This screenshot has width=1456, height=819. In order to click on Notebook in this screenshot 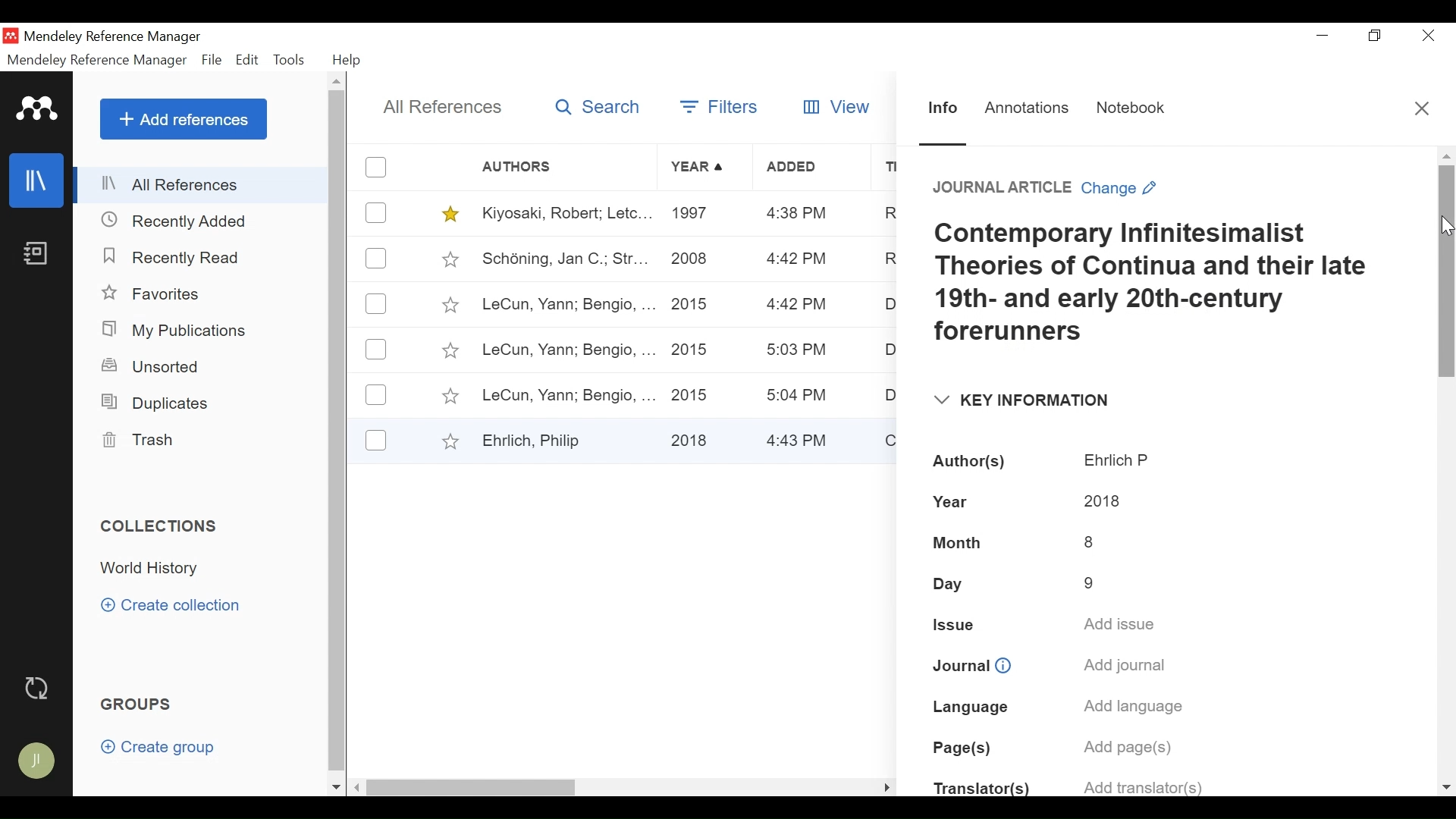, I will do `click(1131, 111)`.